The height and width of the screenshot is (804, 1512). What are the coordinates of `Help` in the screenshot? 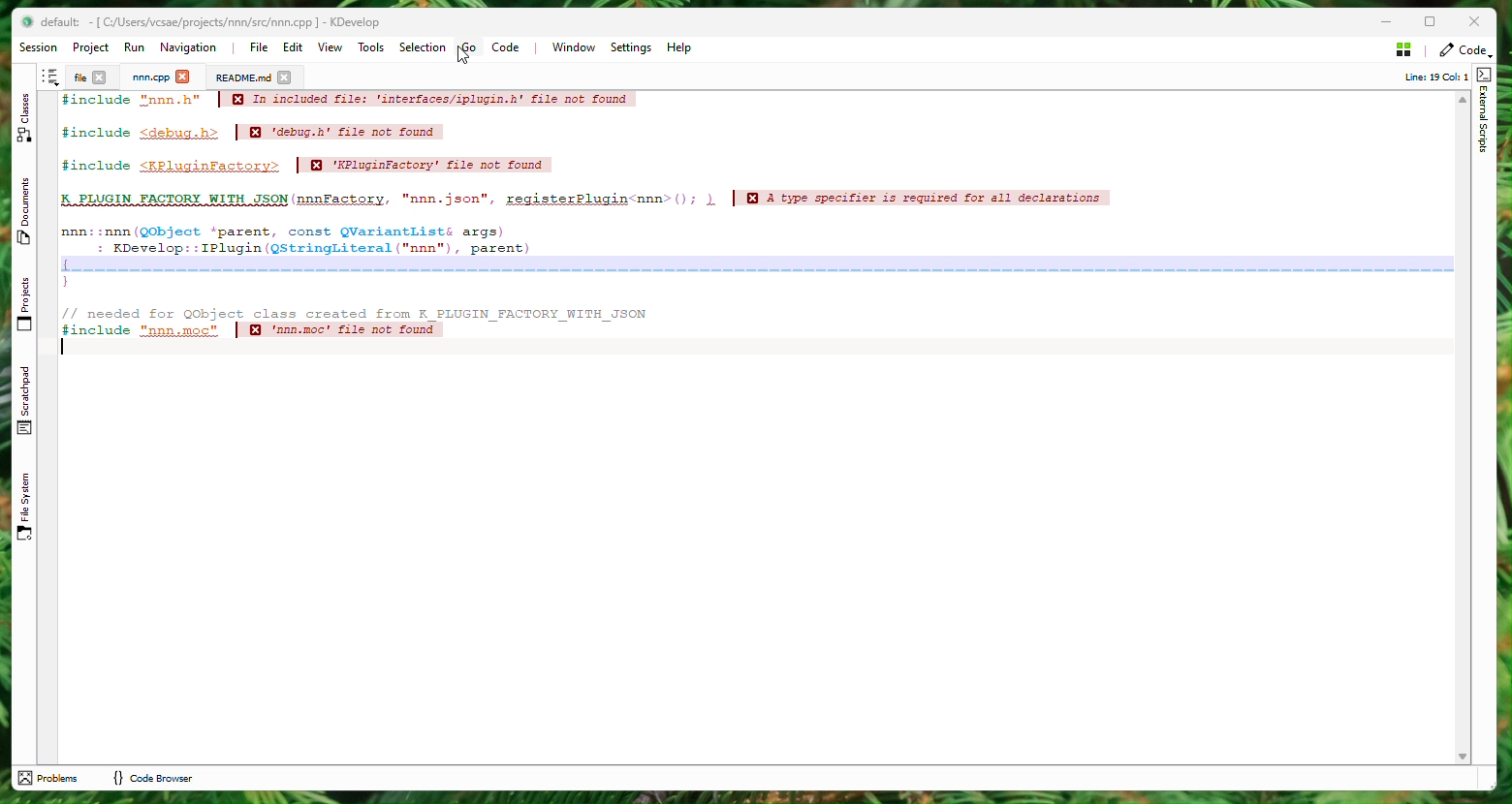 It's located at (680, 49).